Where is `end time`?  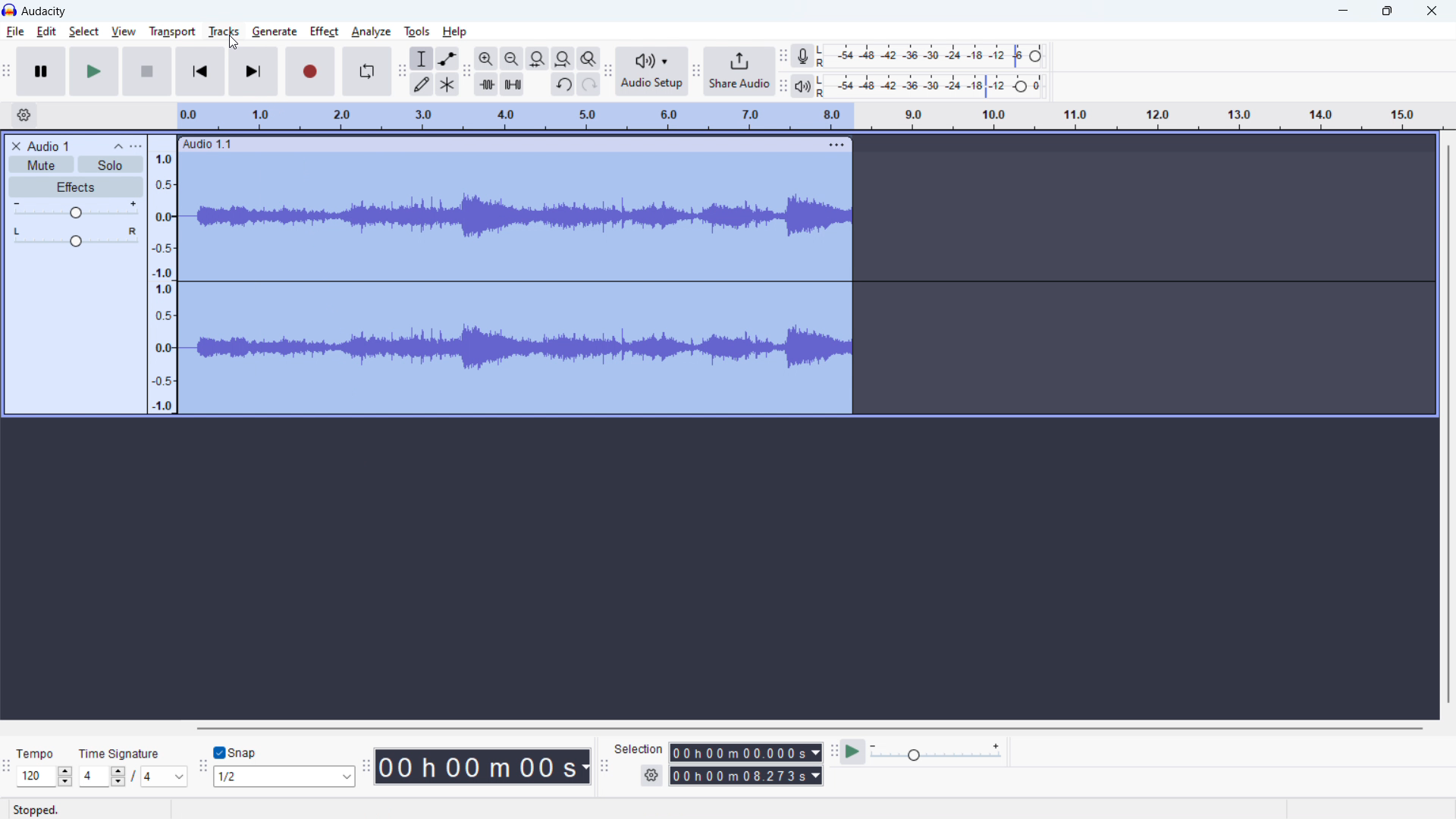 end time is located at coordinates (745, 776).